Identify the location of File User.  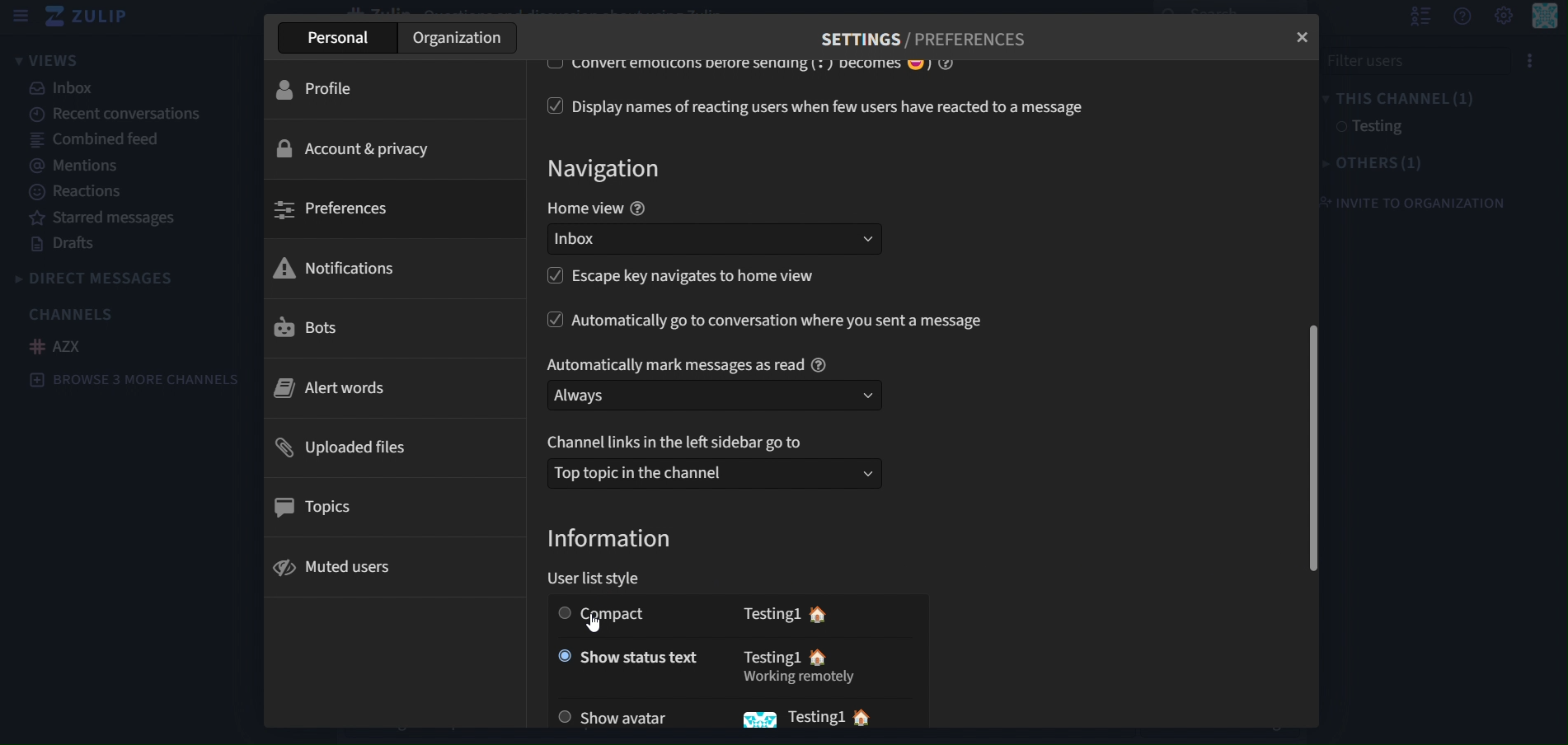
(1414, 61).